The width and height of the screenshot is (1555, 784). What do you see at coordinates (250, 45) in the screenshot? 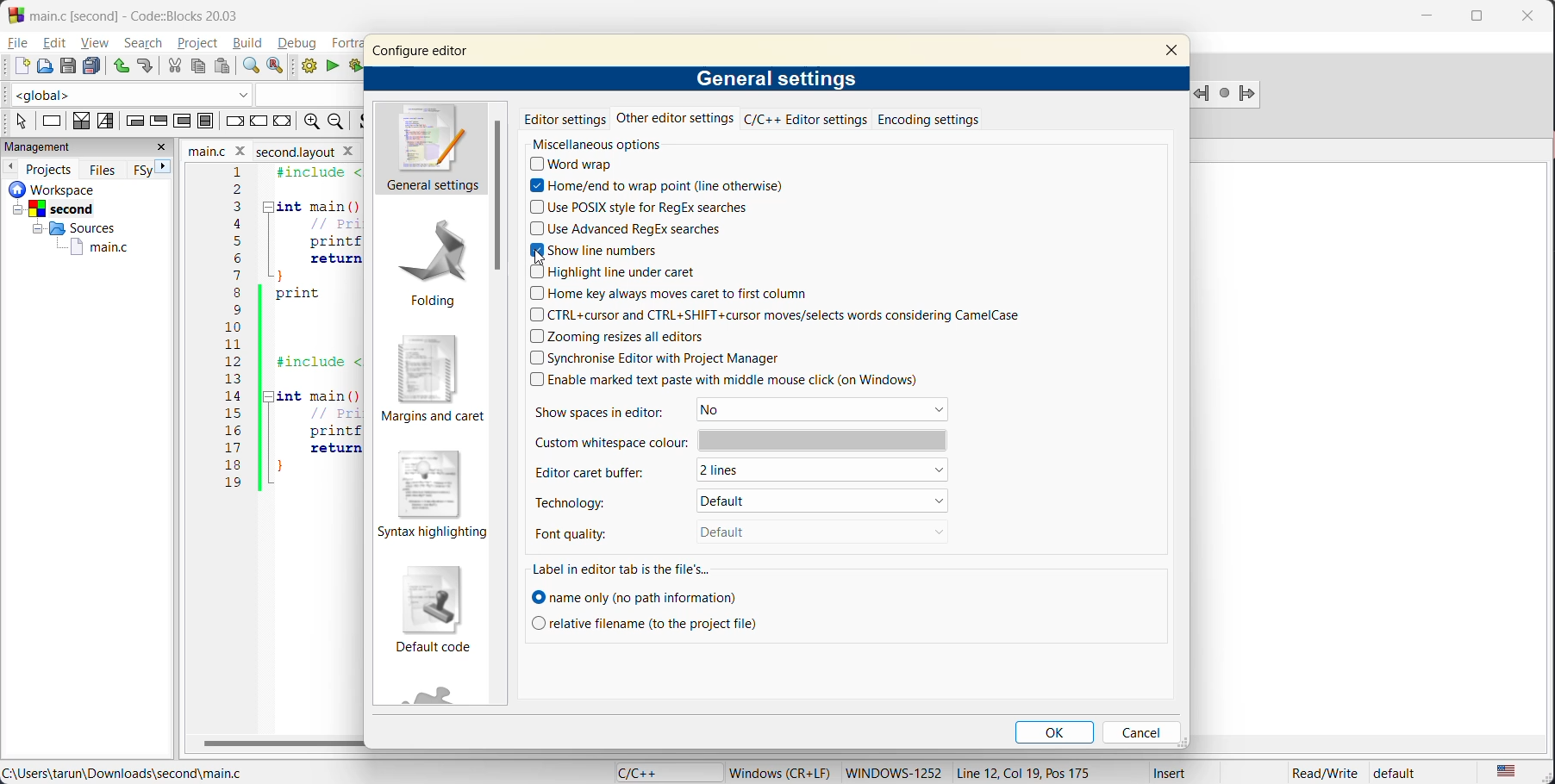
I see `build` at bounding box center [250, 45].